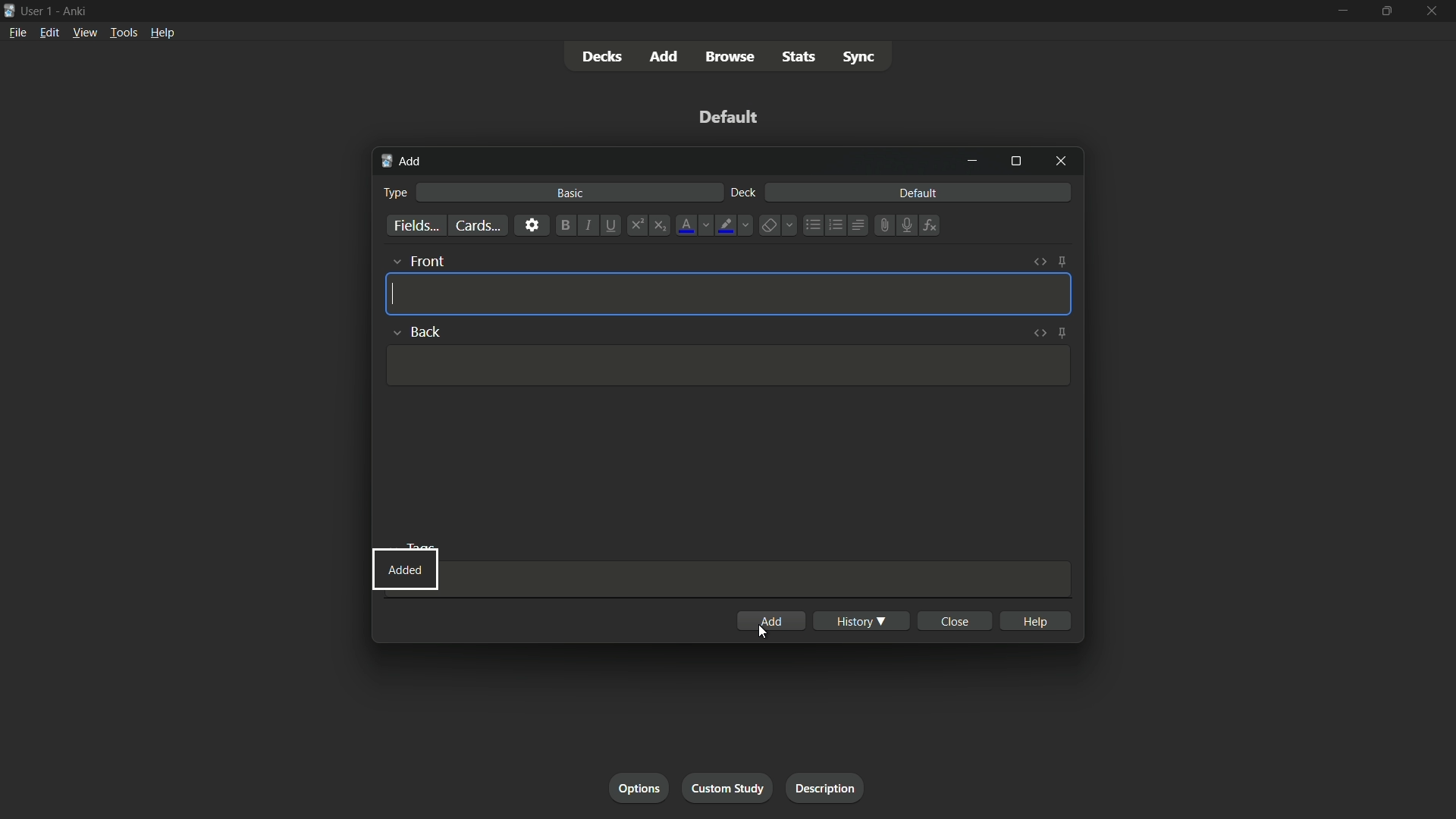 The height and width of the screenshot is (819, 1456). Describe the element at coordinates (429, 262) in the screenshot. I see `front` at that location.